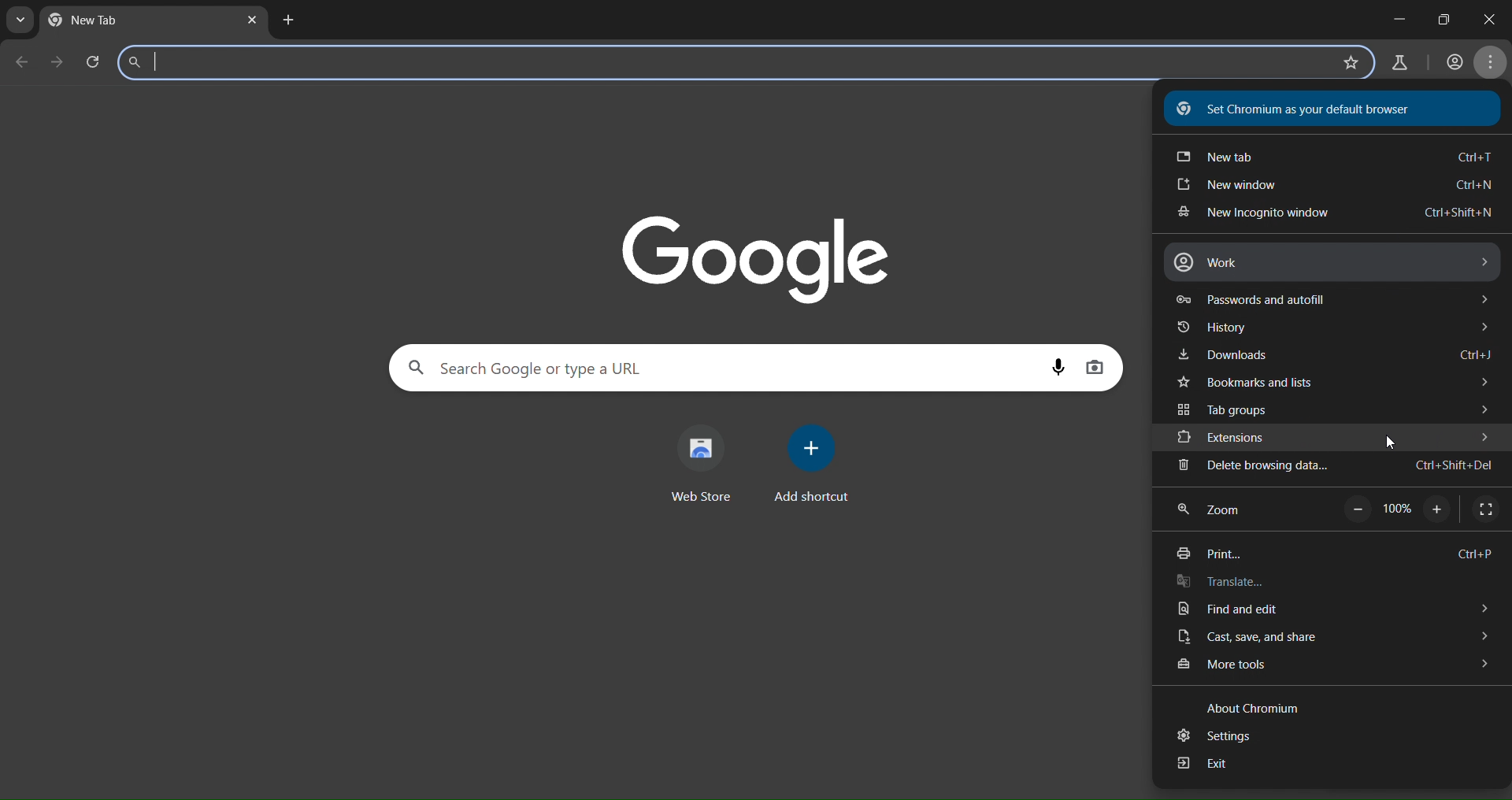 The image size is (1512, 800). What do you see at coordinates (1487, 512) in the screenshot?
I see `display full screen` at bounding box center [1487, 512].